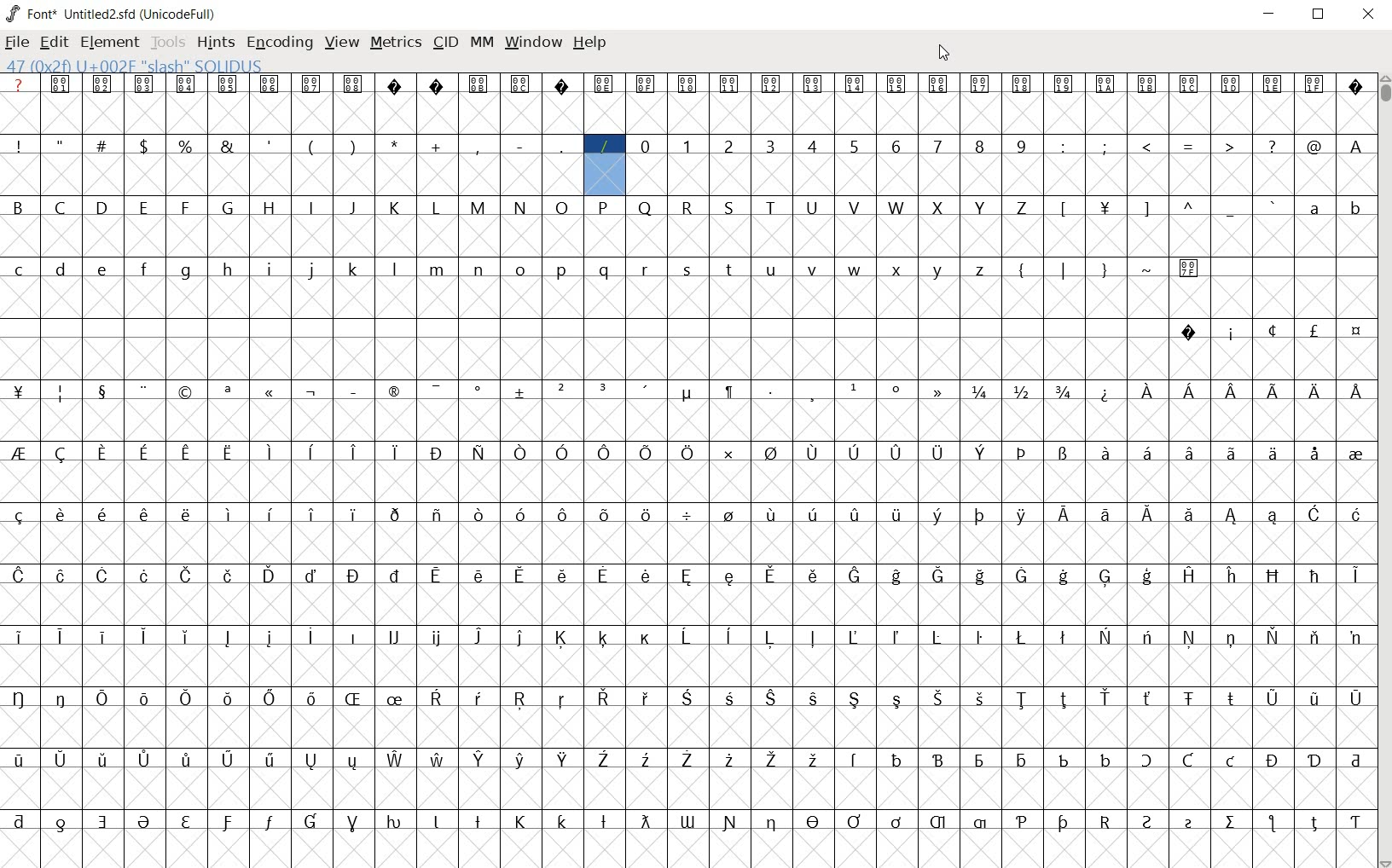 The height and width of the screenshot is (868, 1392). I want to click on glyph, so click(1022, 146).